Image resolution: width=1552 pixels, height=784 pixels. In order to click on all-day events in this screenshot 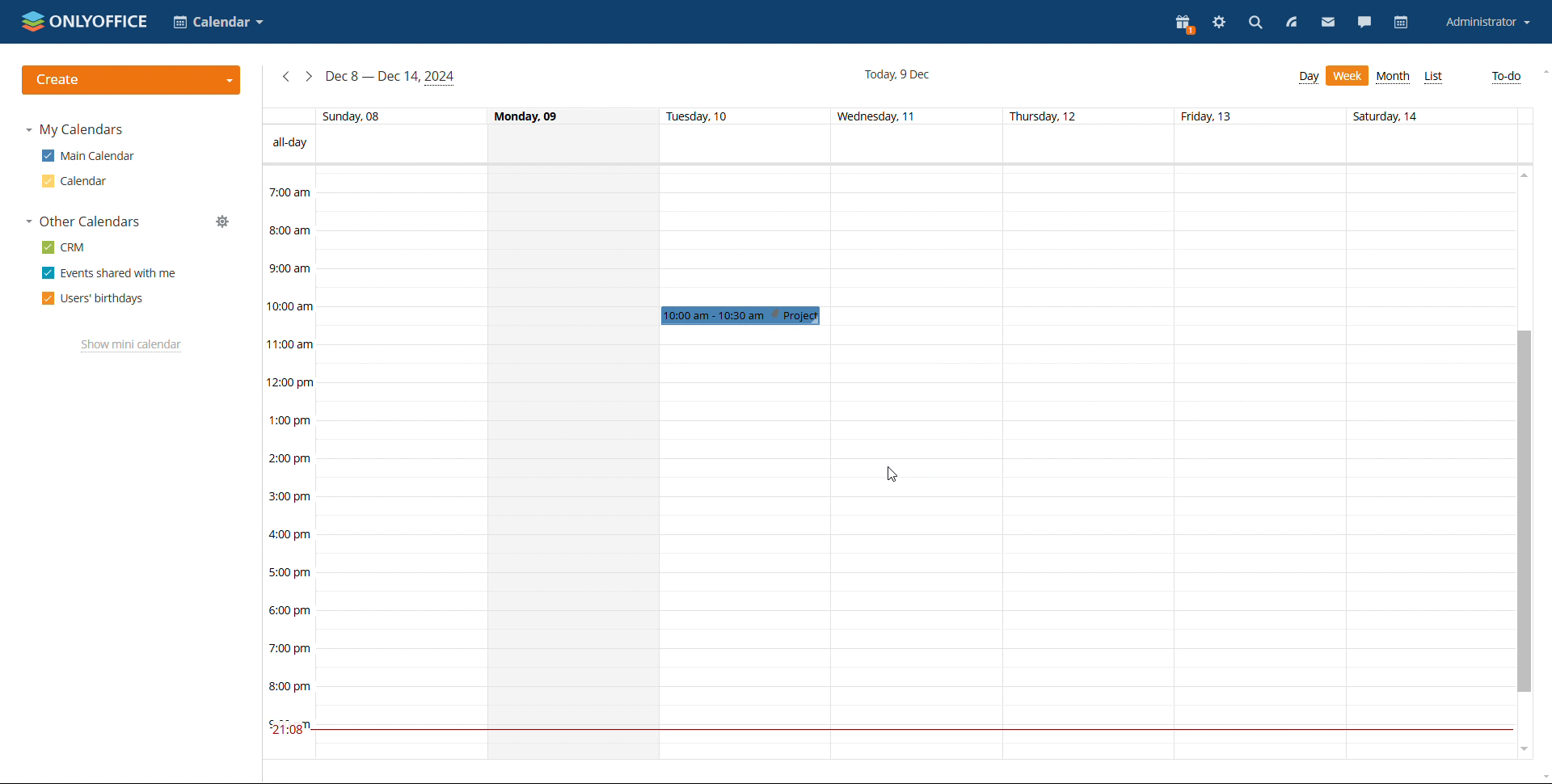, I will do `click(888, 144)`.